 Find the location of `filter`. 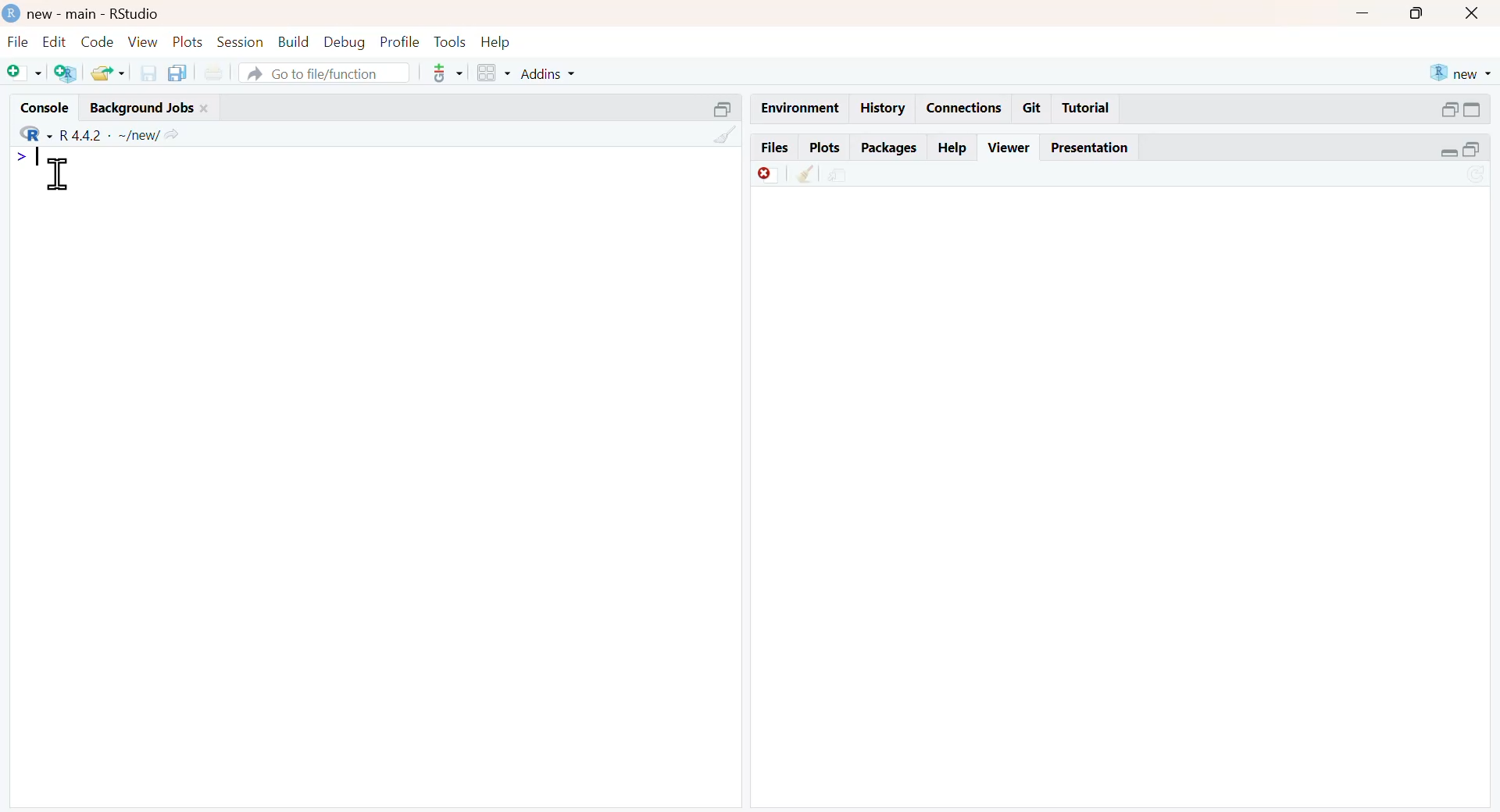

filter is located at coordinates (726, 134).